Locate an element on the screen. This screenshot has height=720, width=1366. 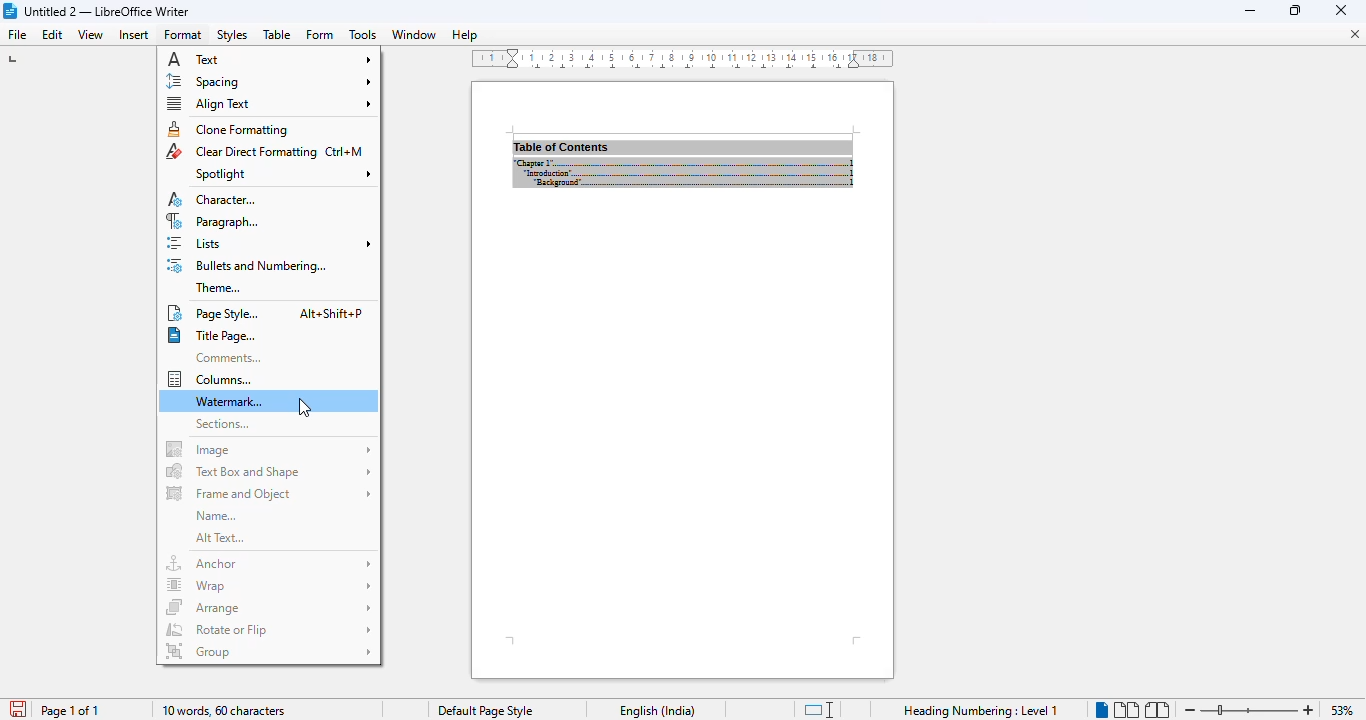
bullets and numbering is located at coordinates (248, 266).